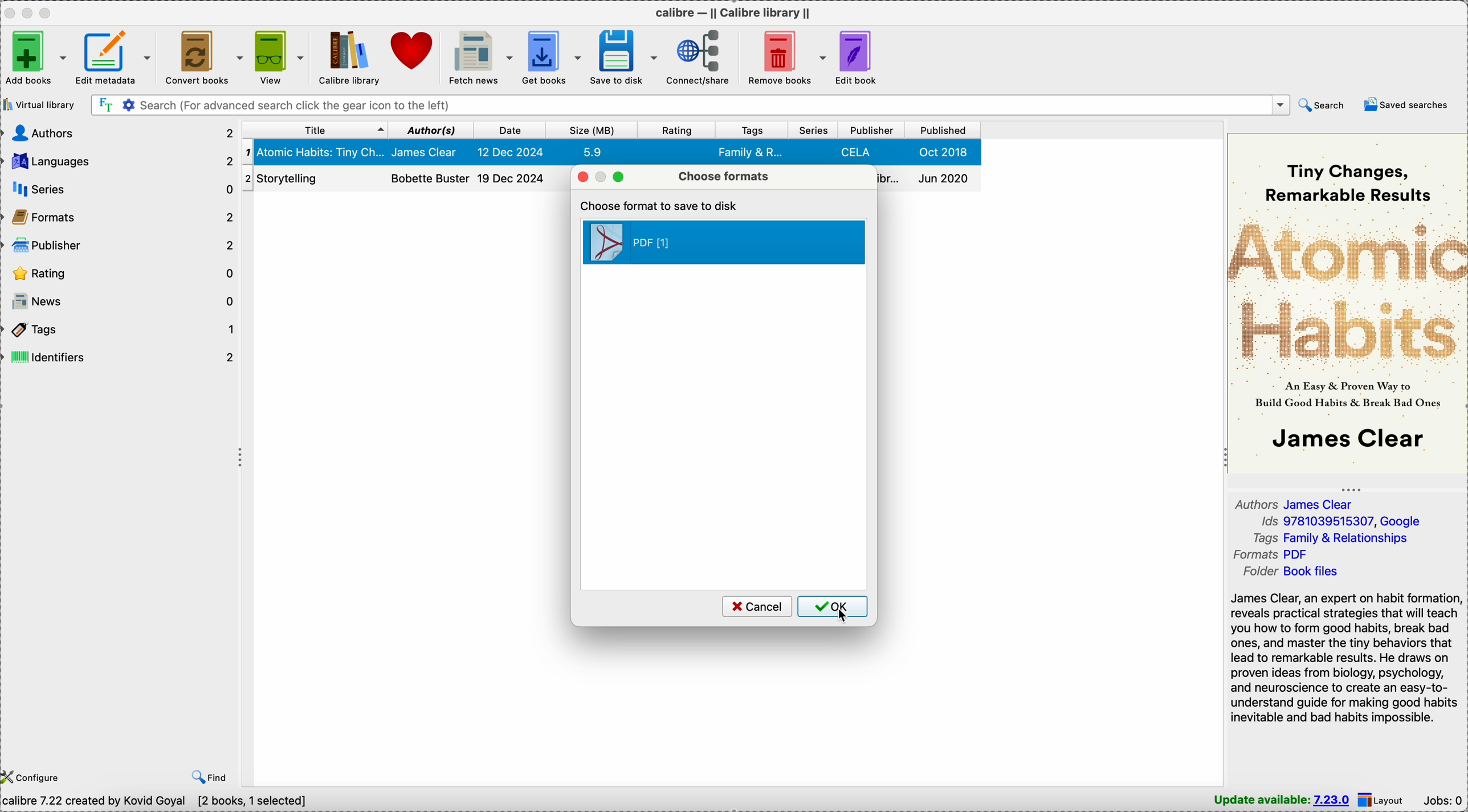 Image resolution: width=1468 pixels, height=812 pixels. I want to click on Ids 9781039515307, Google, so click(1341, 521).